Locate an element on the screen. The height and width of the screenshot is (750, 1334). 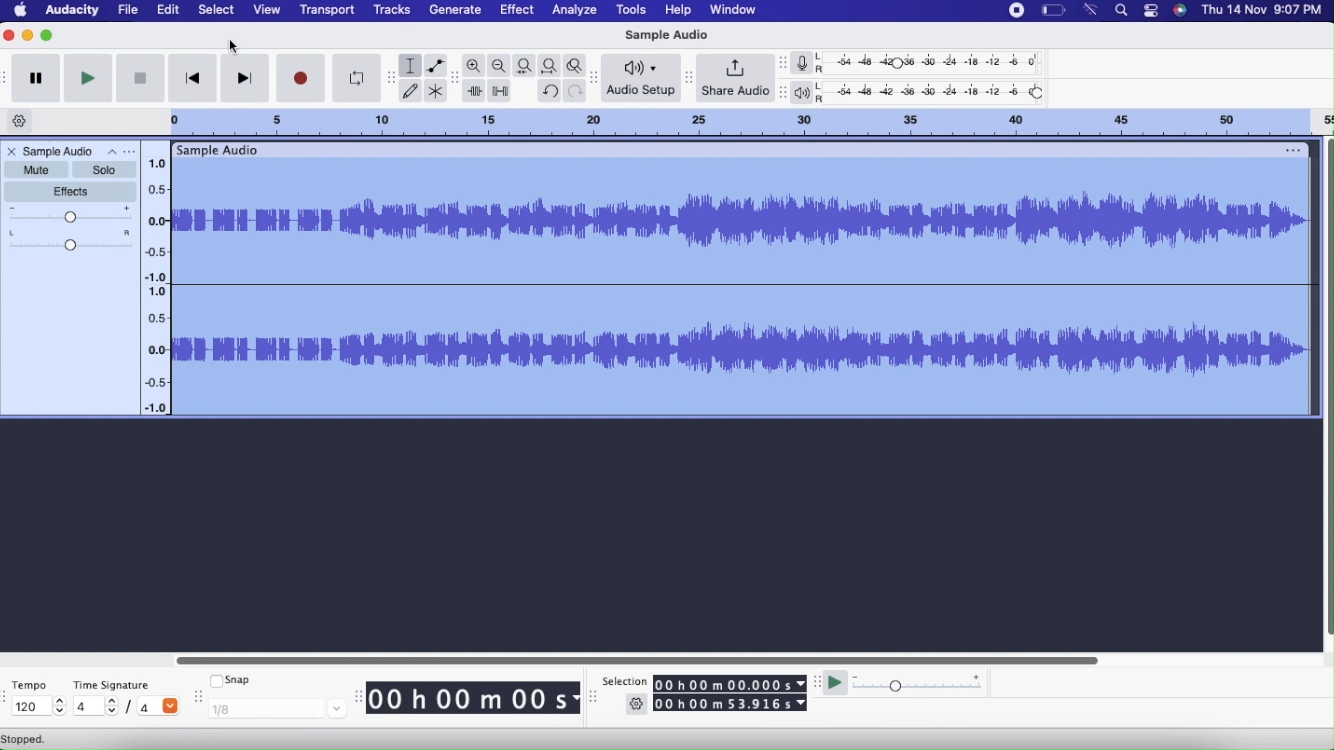
View is located at coordinates (268, 9).